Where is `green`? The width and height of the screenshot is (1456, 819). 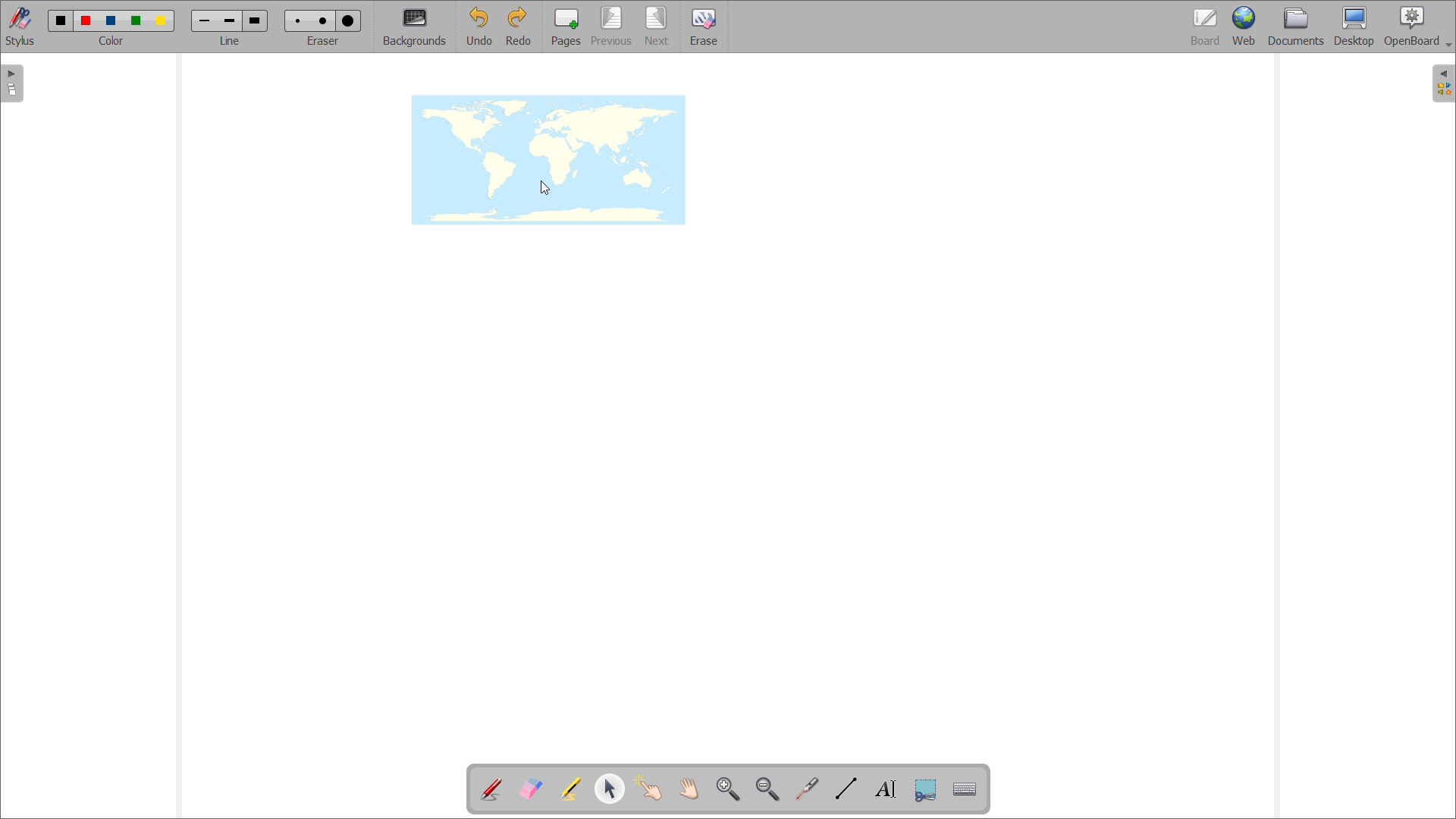
green is located at coordinates (136, 22).